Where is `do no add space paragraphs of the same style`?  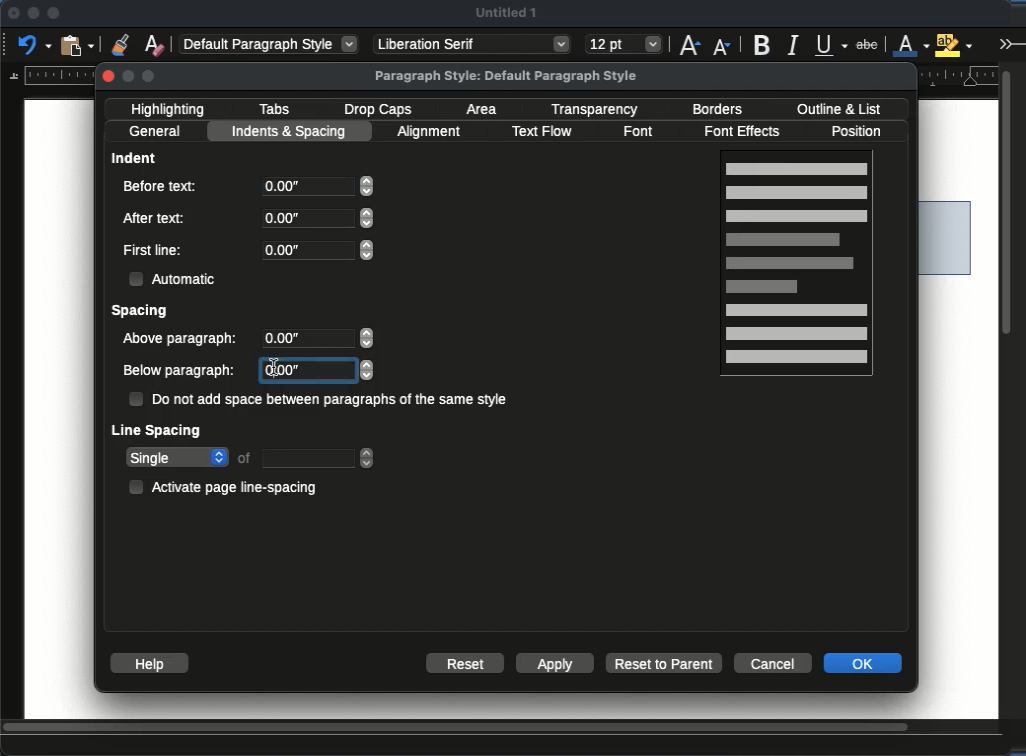 do no add space paragraphs of the same style is located at coordinates (319, 400).